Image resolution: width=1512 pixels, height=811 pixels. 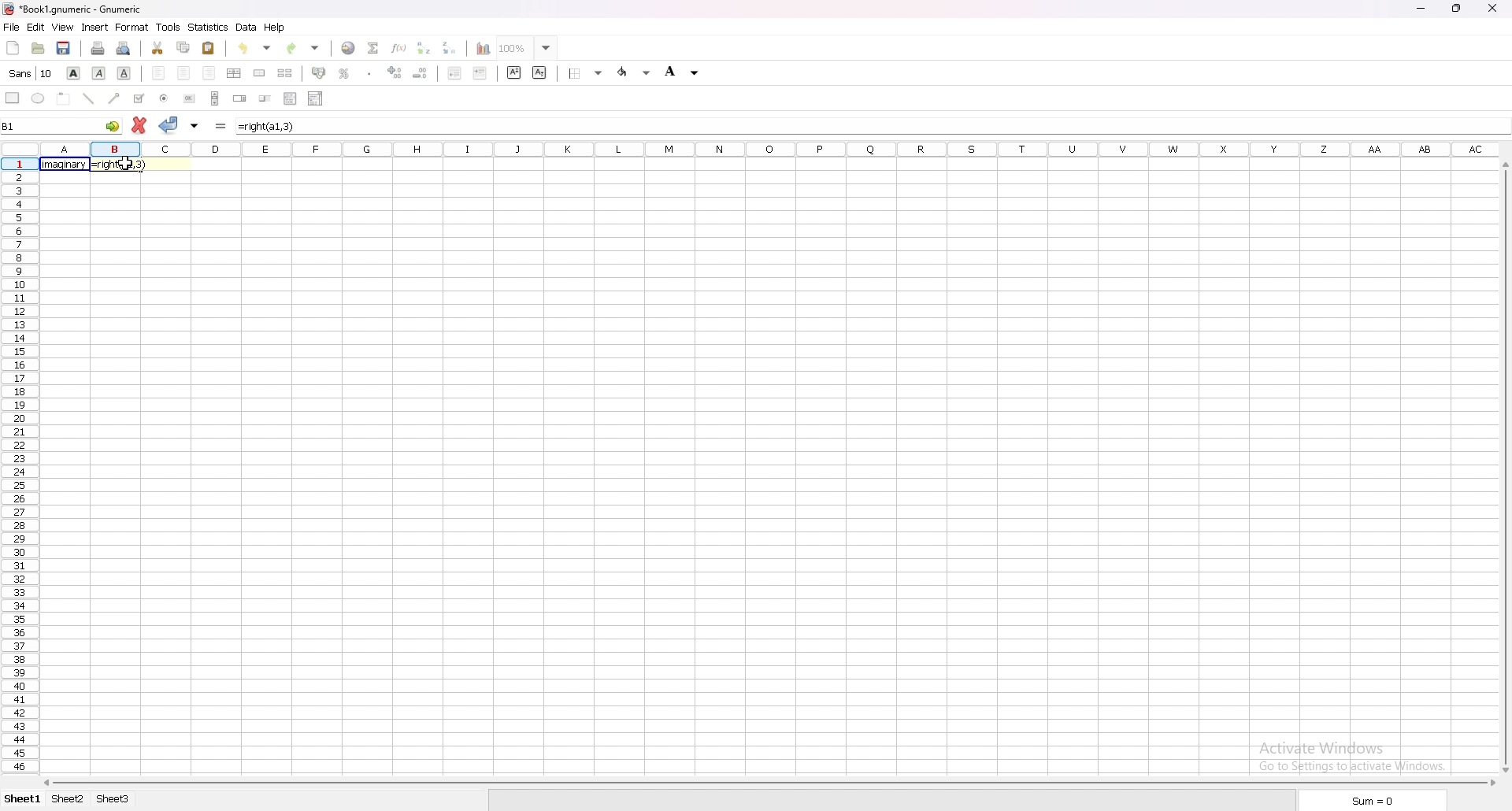 What do you see at coordinates (73, 73) in the screenshot?
I see `bold` at bounding box center [73, 73].